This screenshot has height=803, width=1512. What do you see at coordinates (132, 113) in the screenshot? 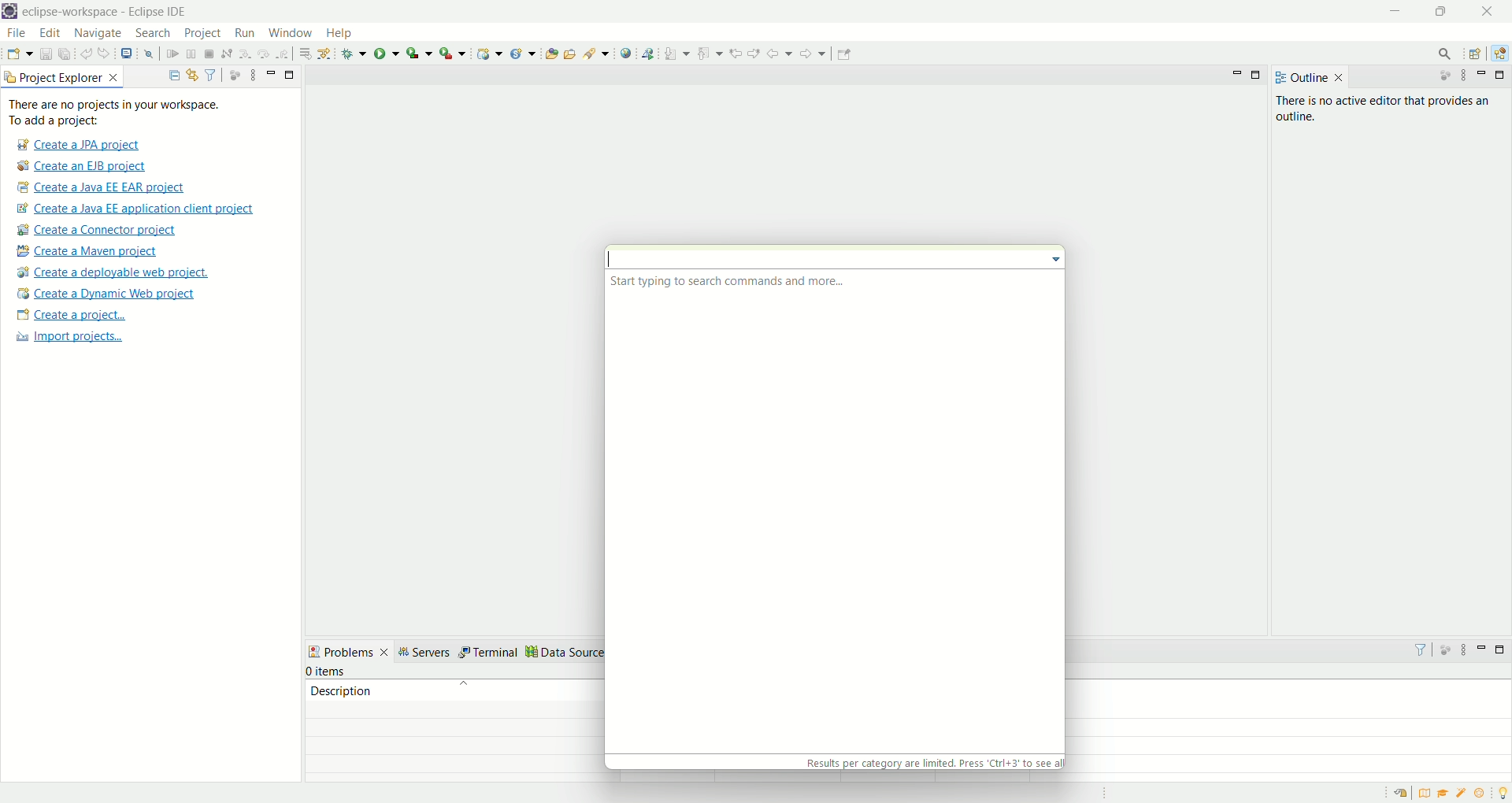
I see `text` at bounding box center [132, 113].